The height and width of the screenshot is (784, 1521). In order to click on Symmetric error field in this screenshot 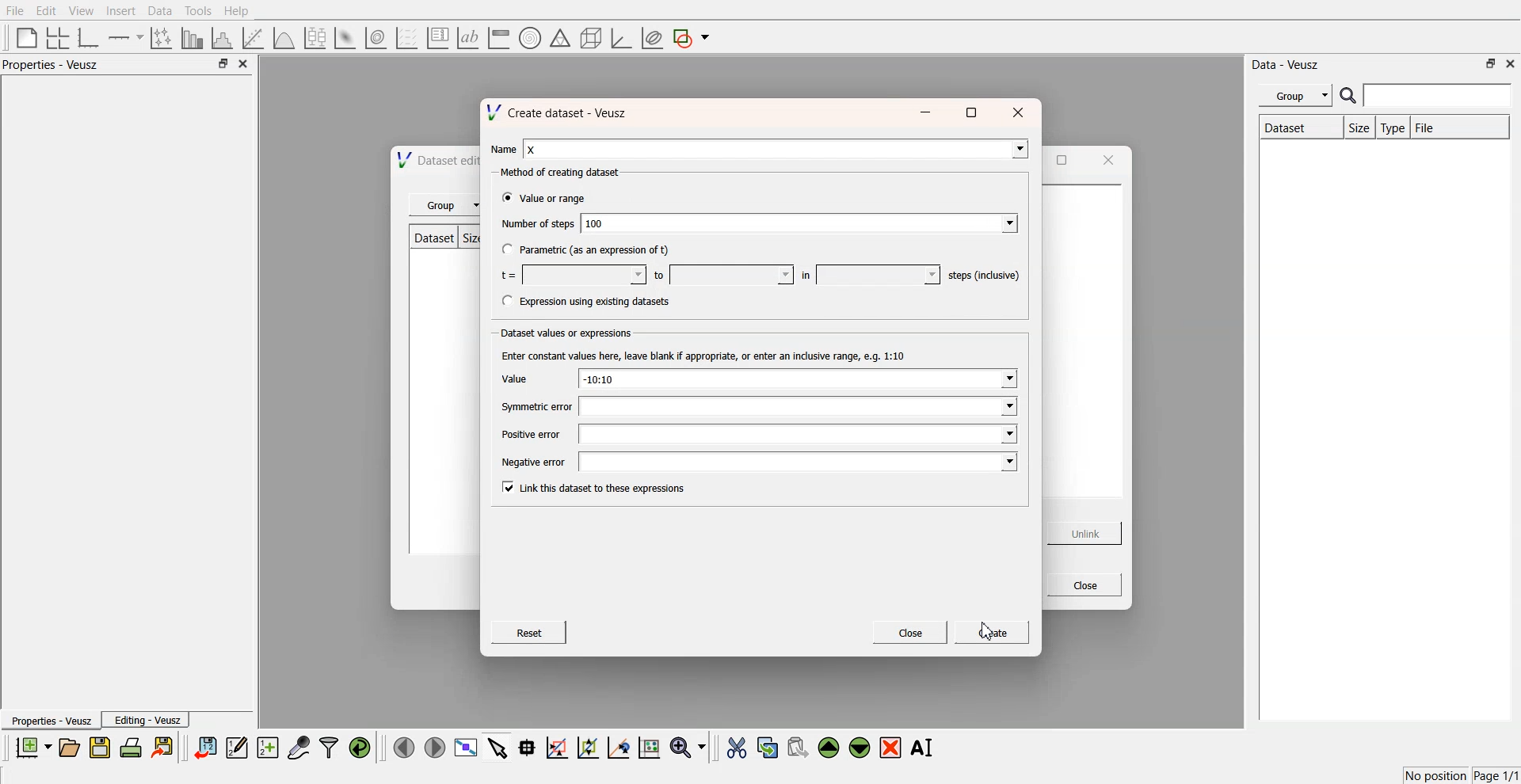, I will do `click(796, 406)`.